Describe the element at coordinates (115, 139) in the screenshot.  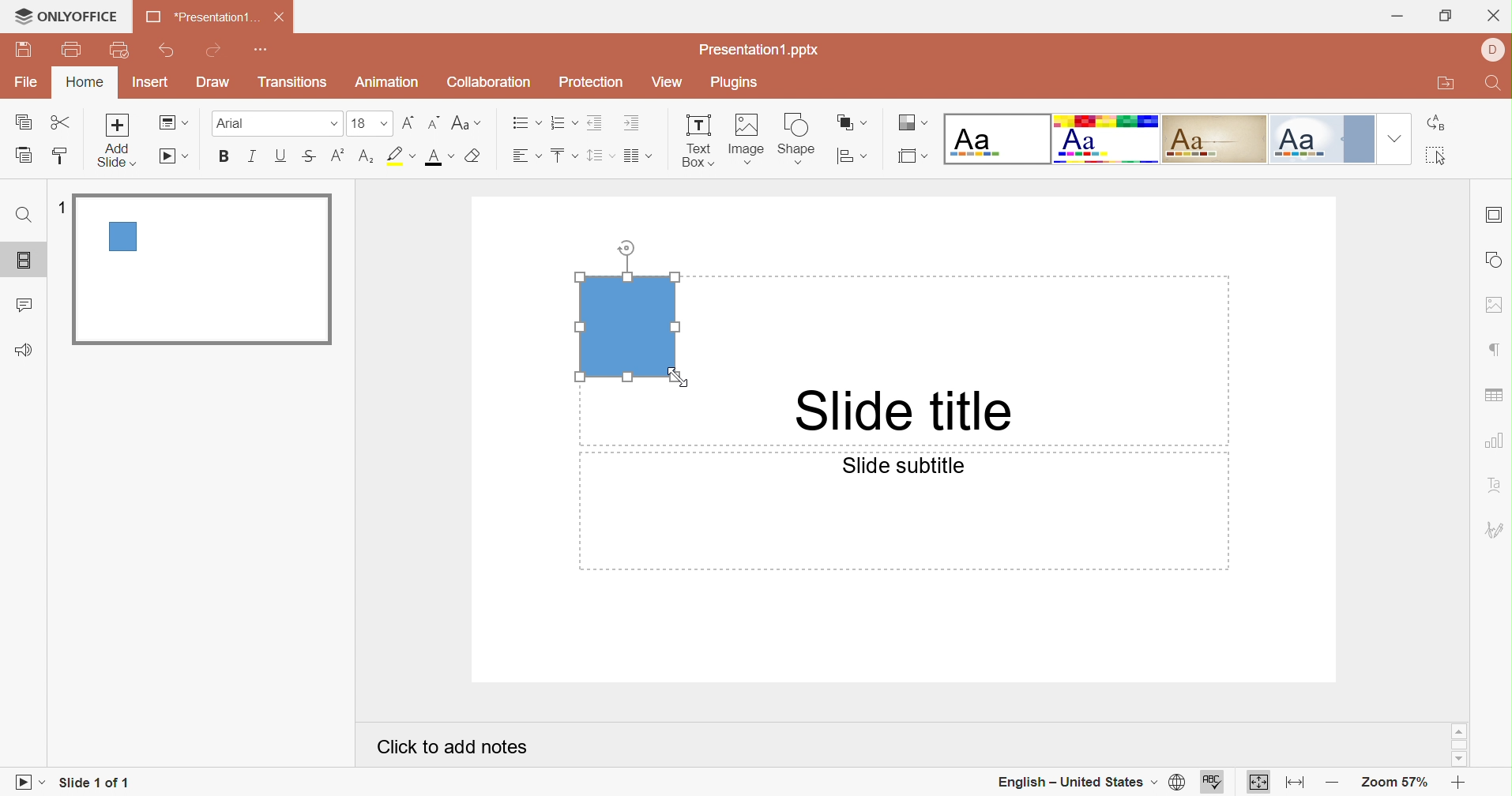
I see `Add slide` at that location.